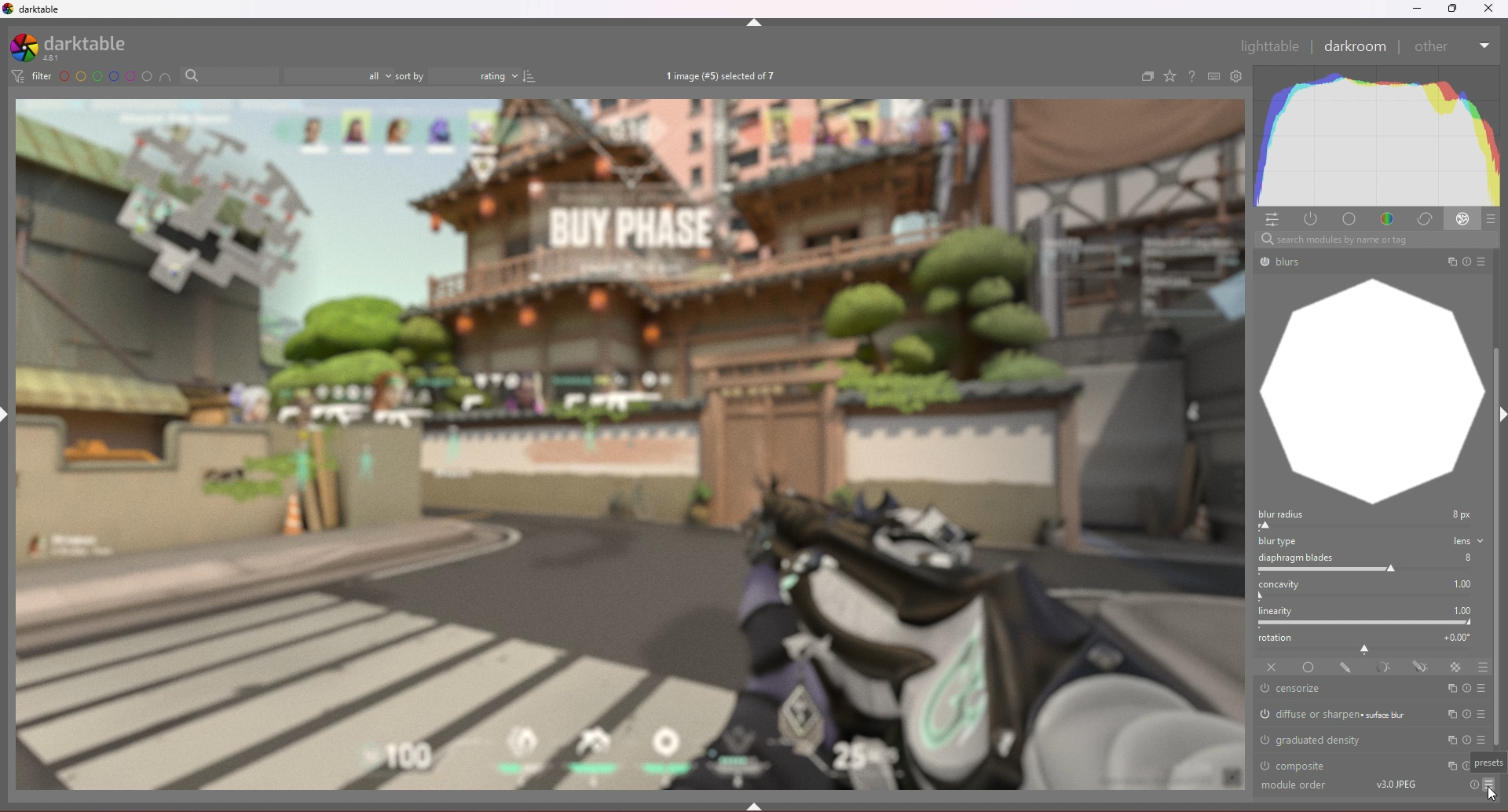 The width and height of the screenshot is (1508, 812). What do you see at coordinates (39, 9) in the screenshot?
I see `darktable` at bounding box center [39, 9].